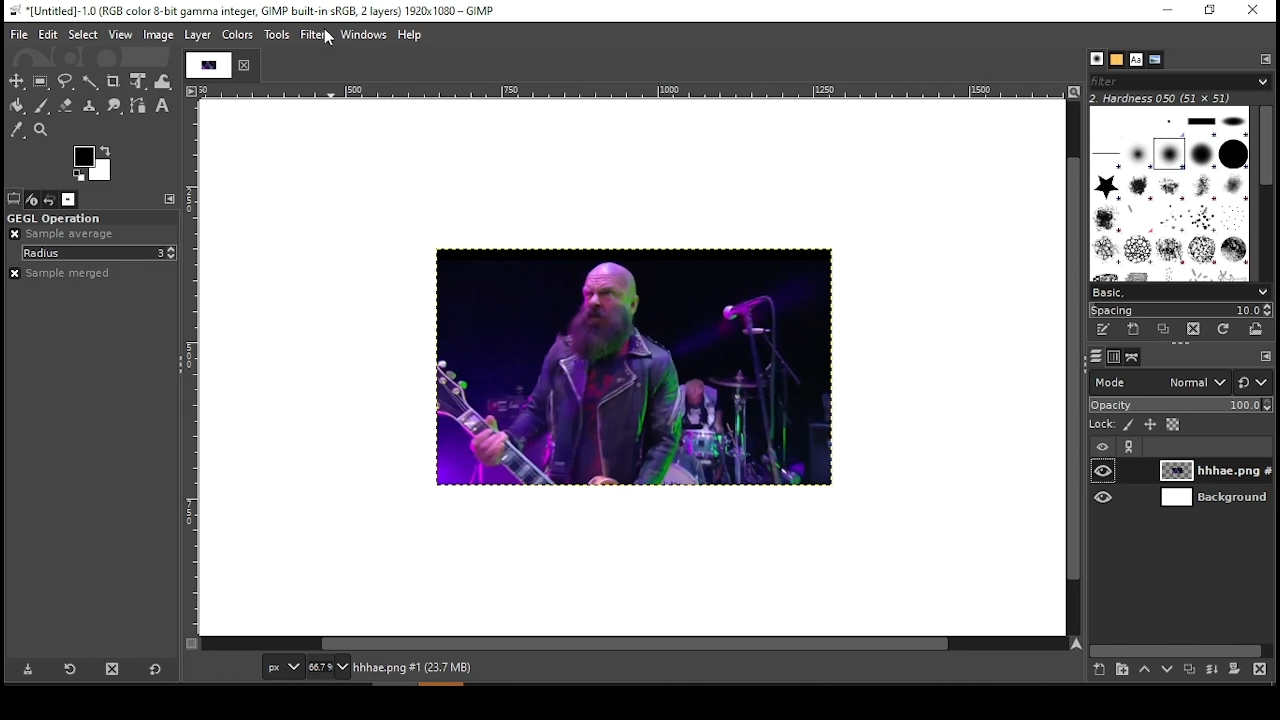  What do you see at coordinates (1207, 12) in the screenshot?
I see `restore` at bounding box center [1207, 12].